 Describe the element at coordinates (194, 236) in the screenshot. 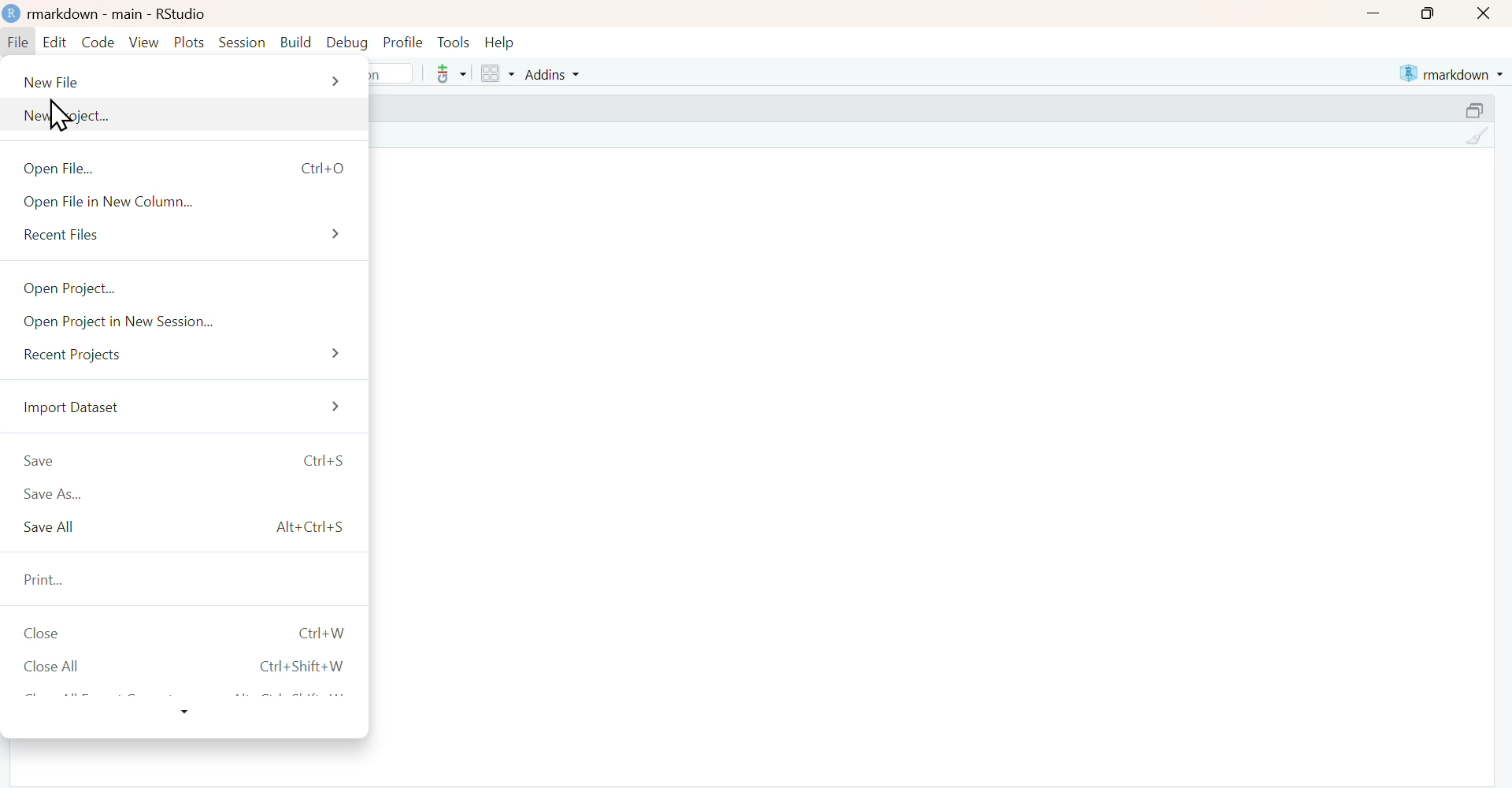

I see `Recent files` at that location.